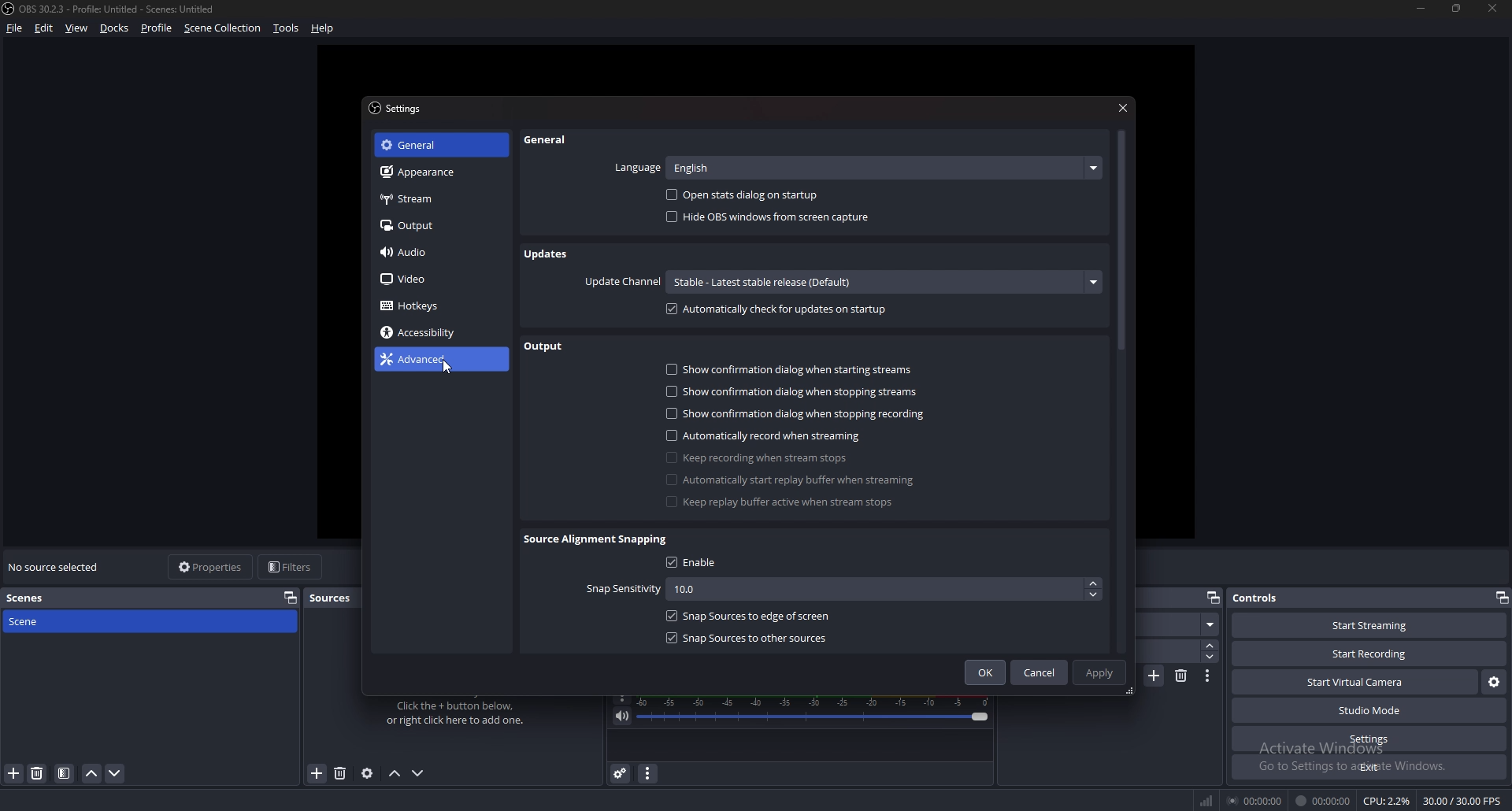  Describe the element at coordinates (1462, 802) in the screenshot. I see `30.00/30.00 FPS` at that location.